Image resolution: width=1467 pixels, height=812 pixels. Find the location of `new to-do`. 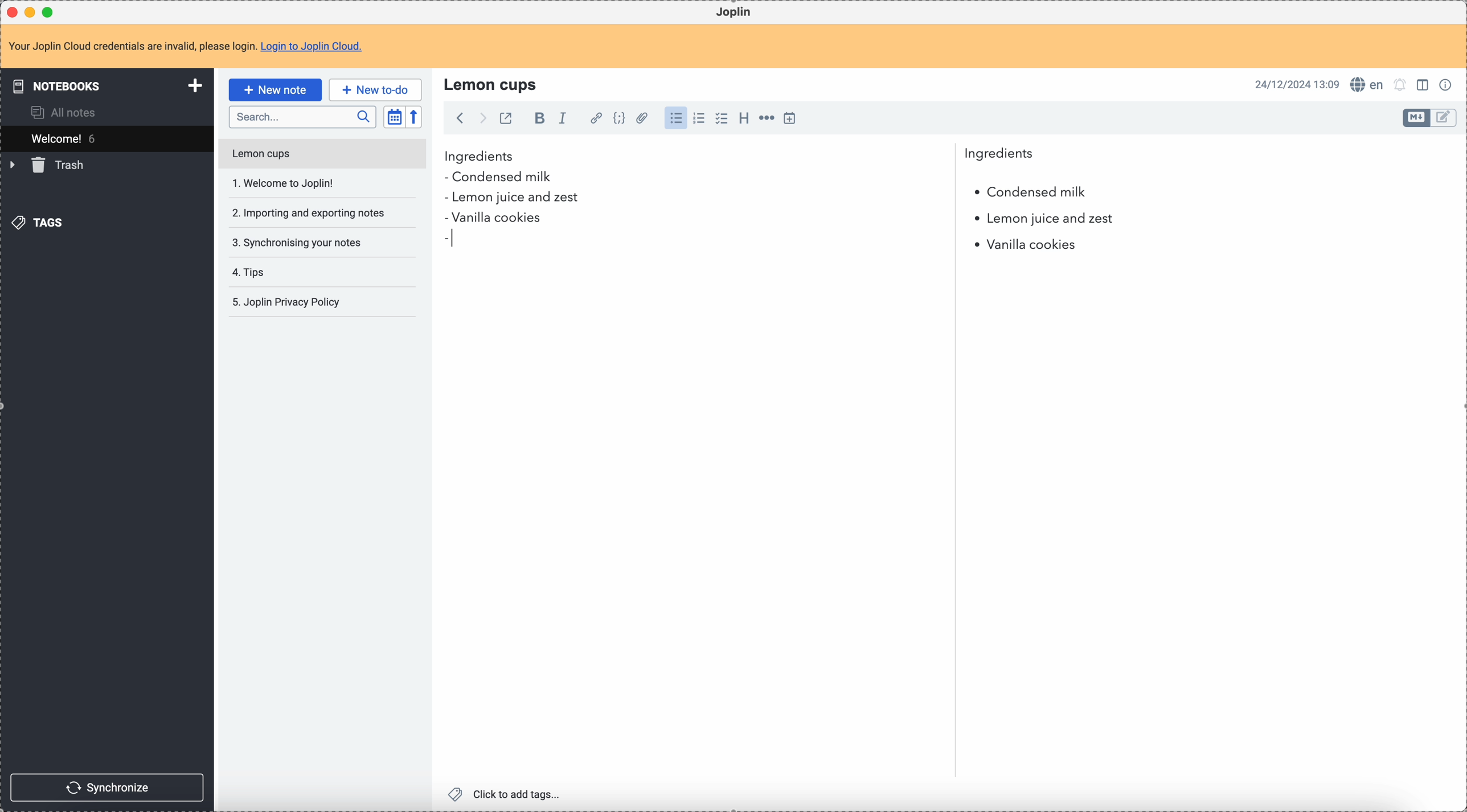

new to-do is located at coordinates (375, 89).